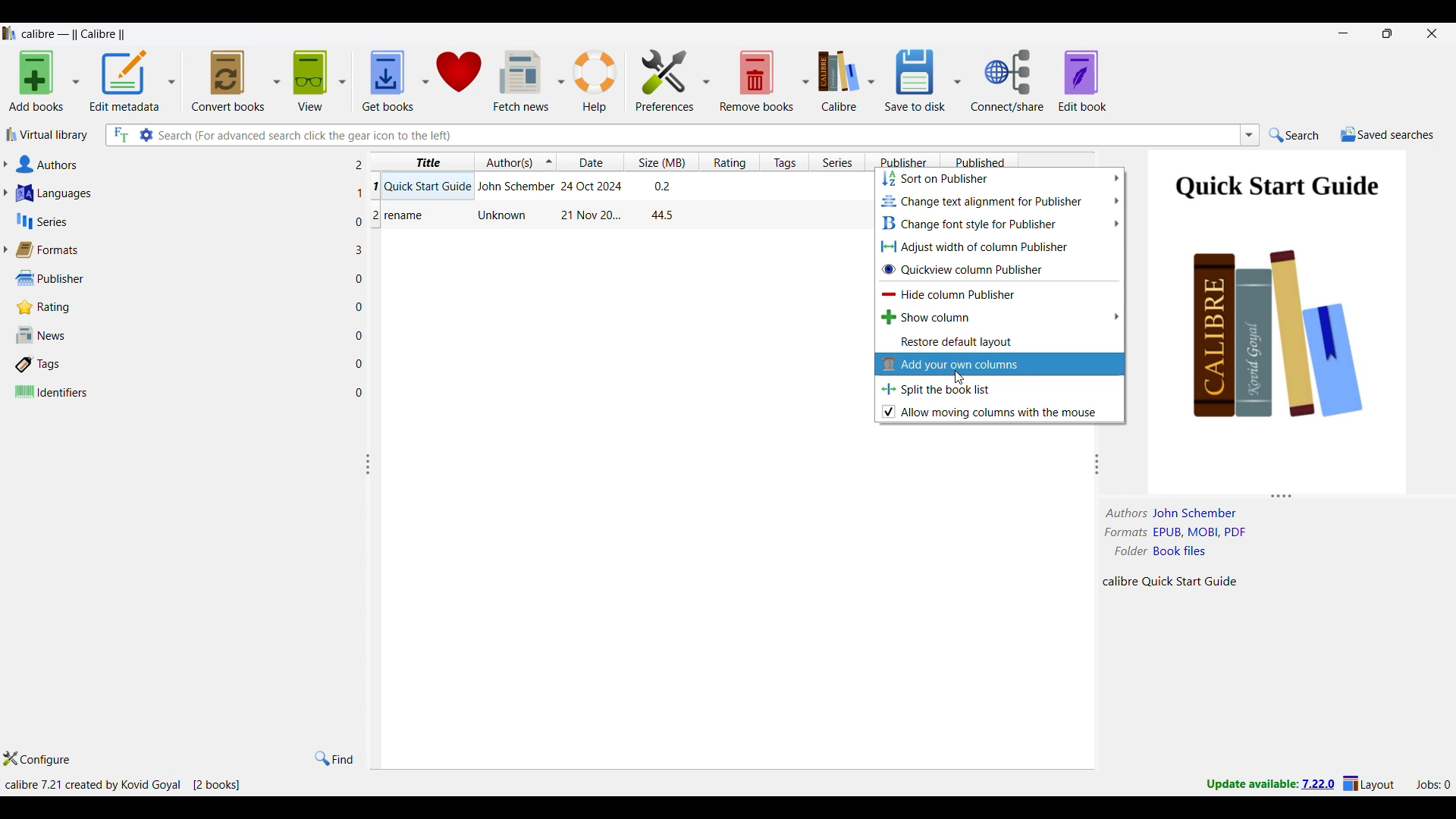  I want to click on Toggle for allow moving columns with the mouse, so click(999, 412).